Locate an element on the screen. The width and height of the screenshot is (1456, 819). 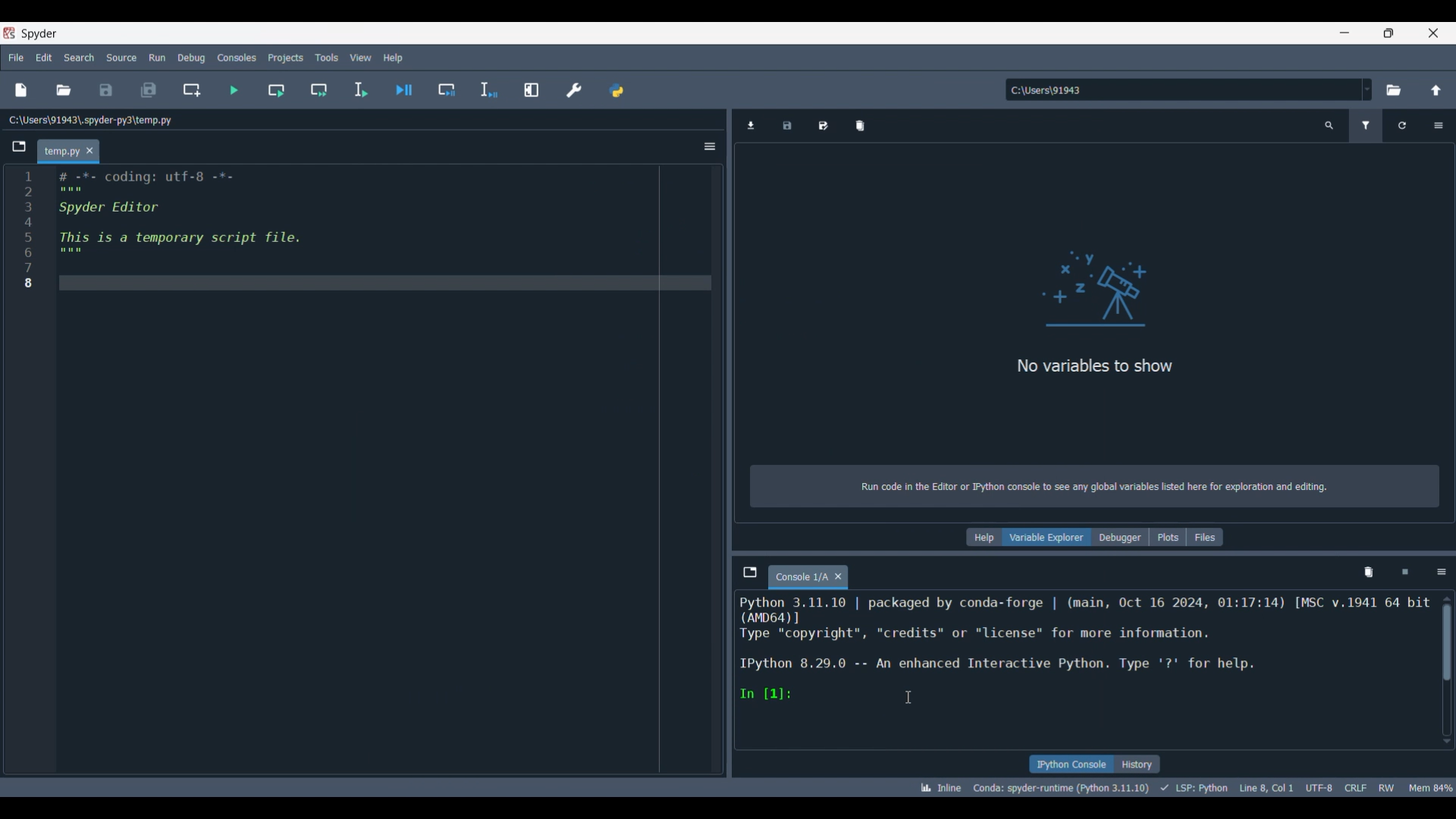
Reload variables is located at coordinates (1401, 126).